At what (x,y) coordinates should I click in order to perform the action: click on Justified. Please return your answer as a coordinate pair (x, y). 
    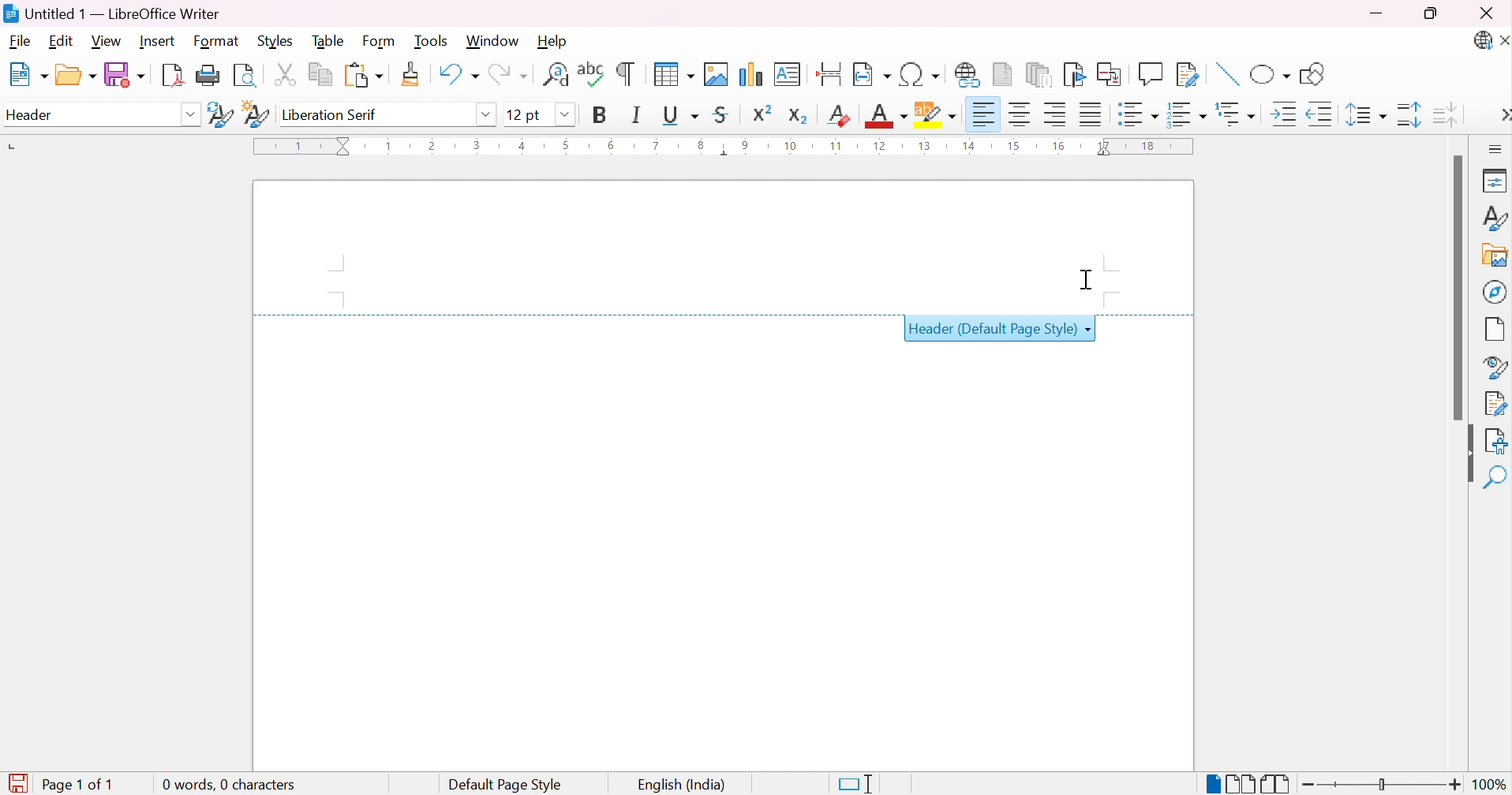
    Looking at the image, I should click on (1091, 113).